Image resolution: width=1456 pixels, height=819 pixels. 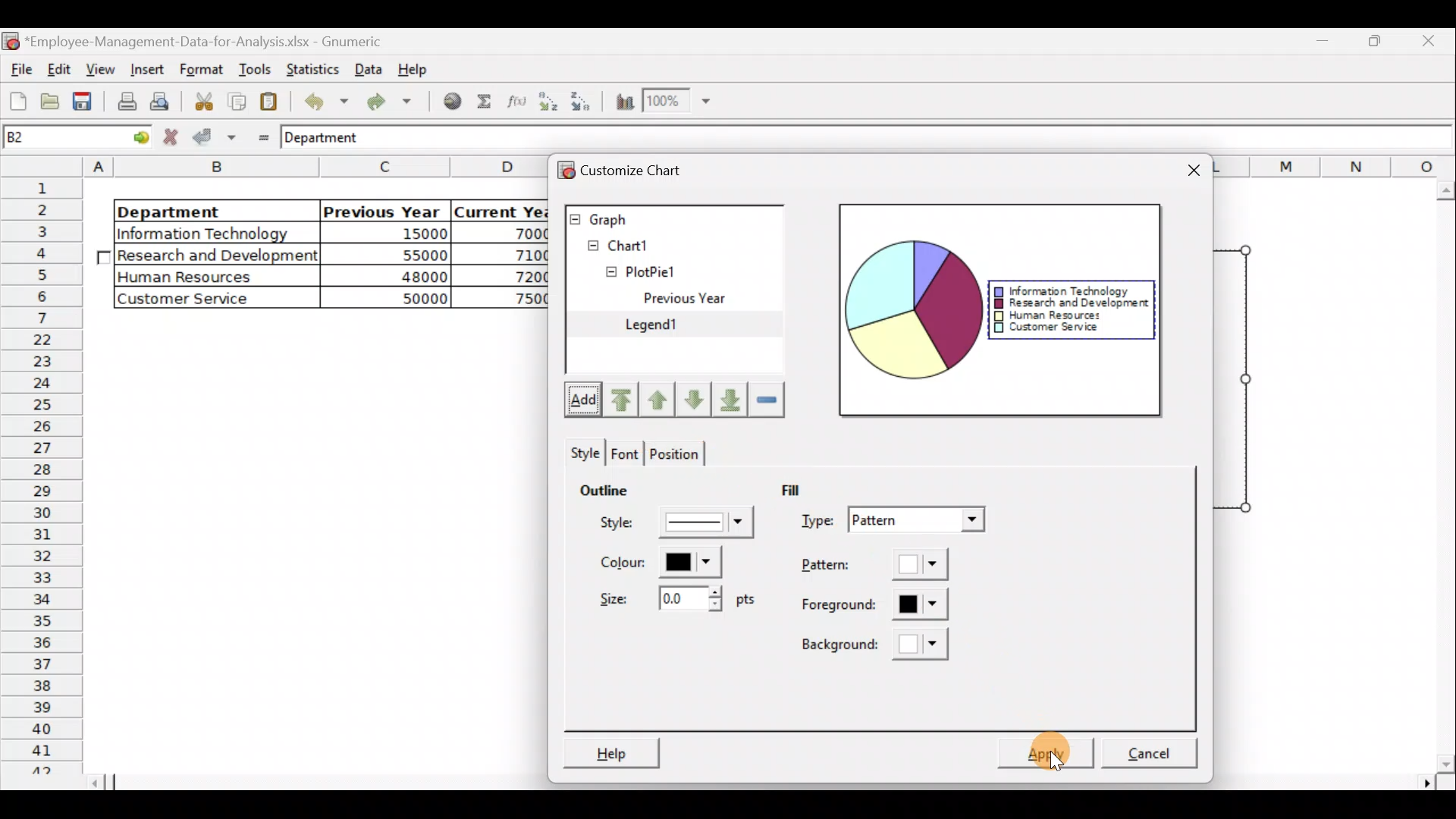 I want to click on Accept change, so click(x=215, y=137).